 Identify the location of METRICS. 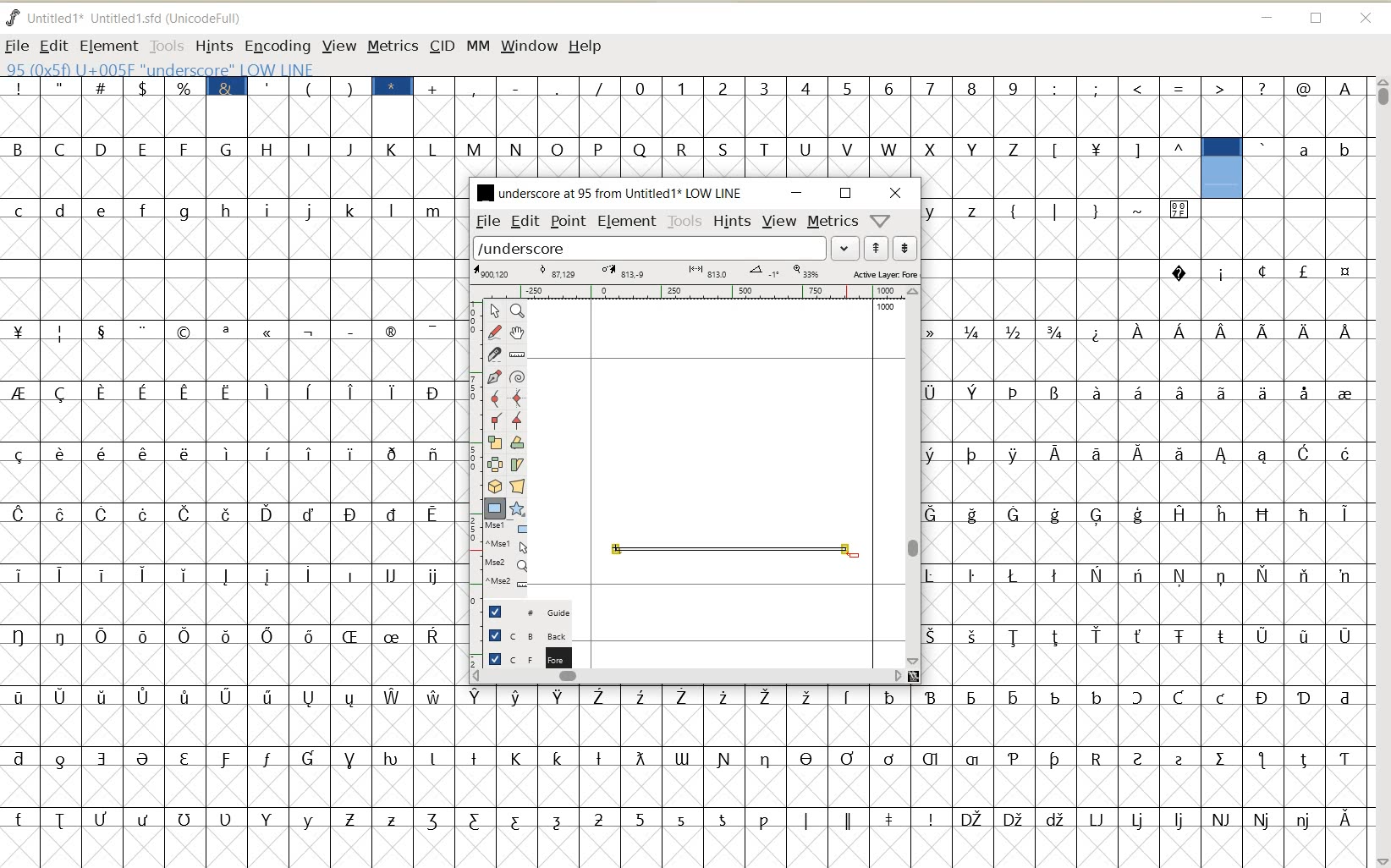
(392, 46).